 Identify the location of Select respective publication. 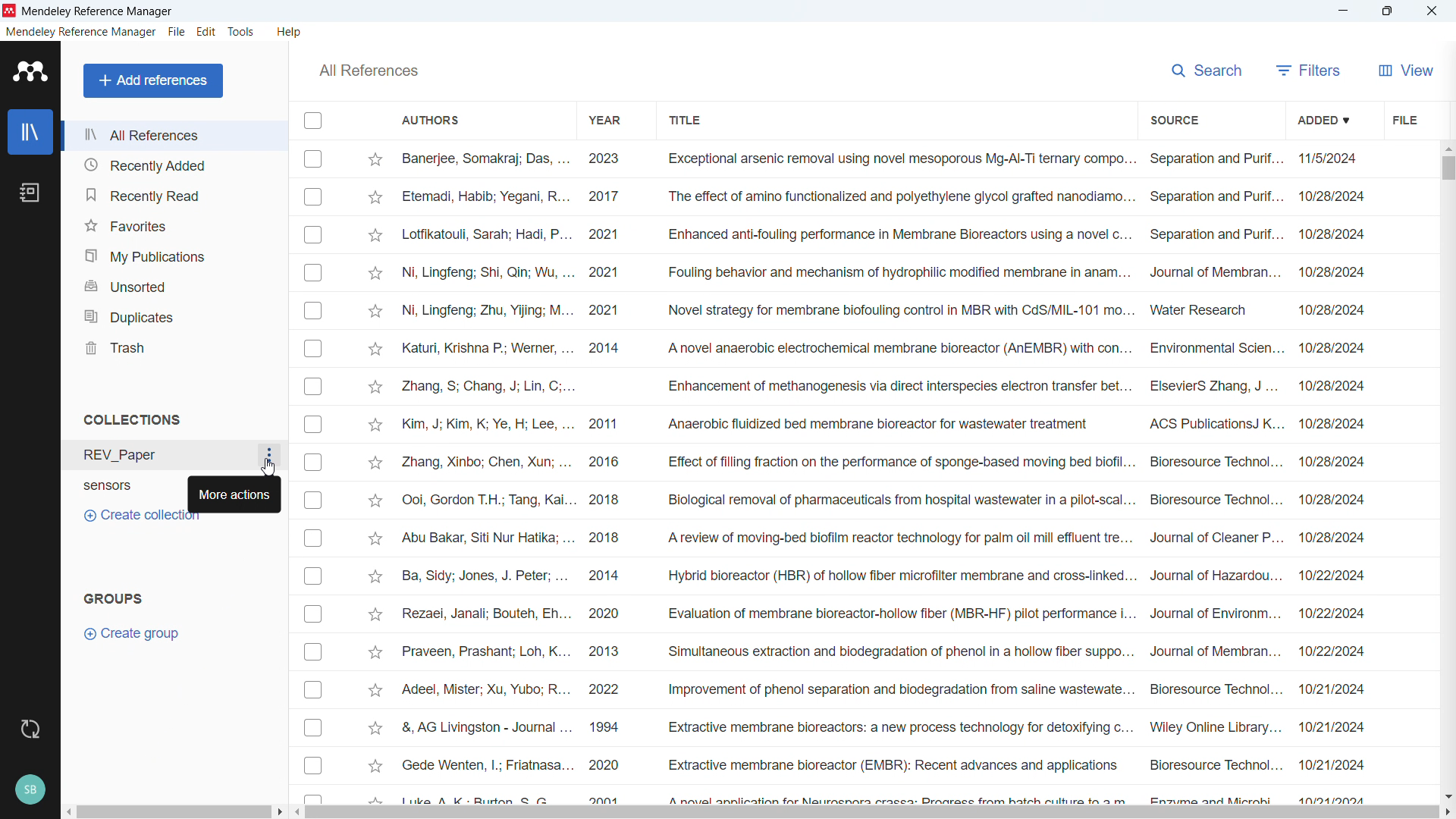
(313, 462).